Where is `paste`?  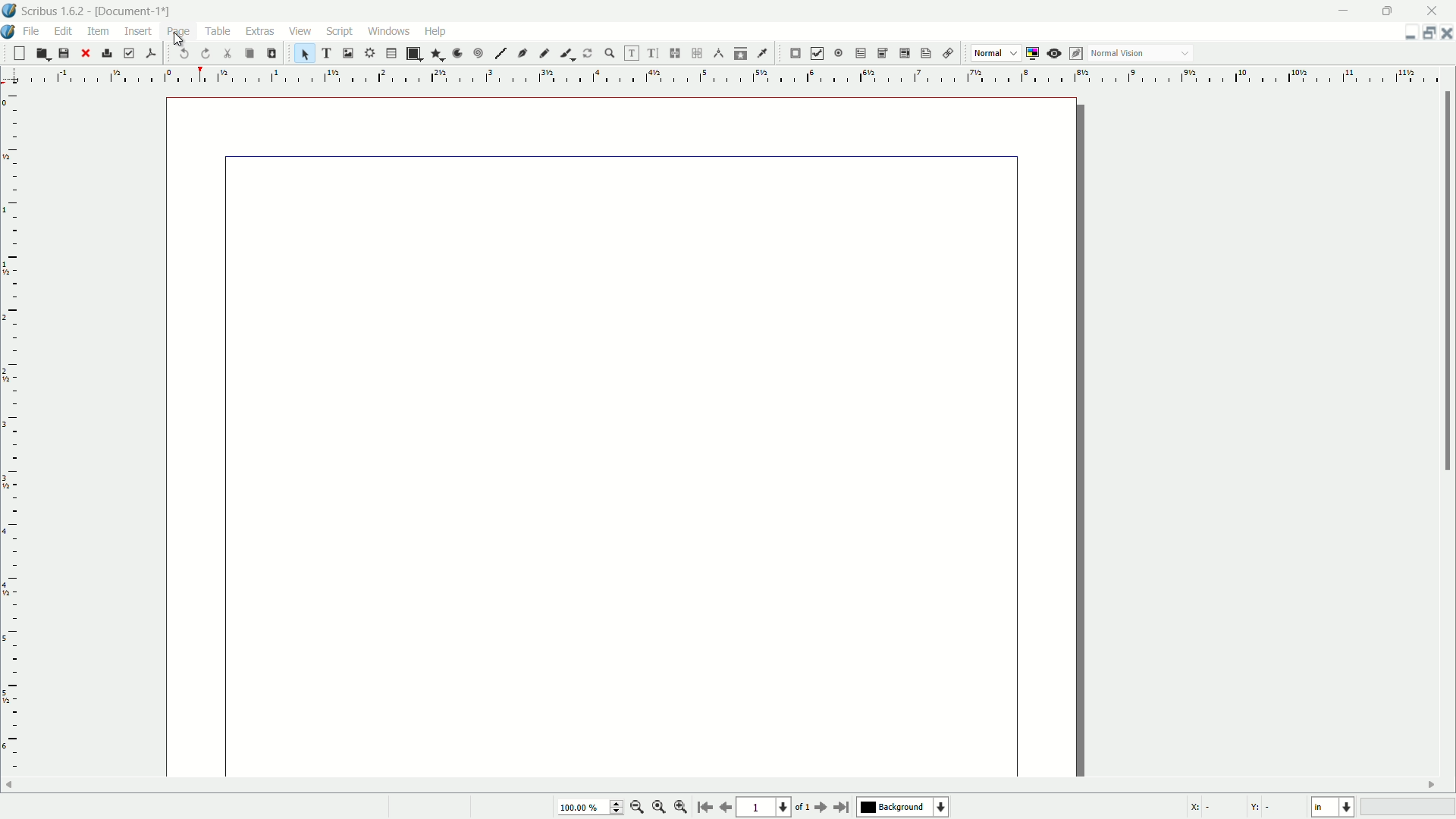 paste is located at coordinates (271, 53).